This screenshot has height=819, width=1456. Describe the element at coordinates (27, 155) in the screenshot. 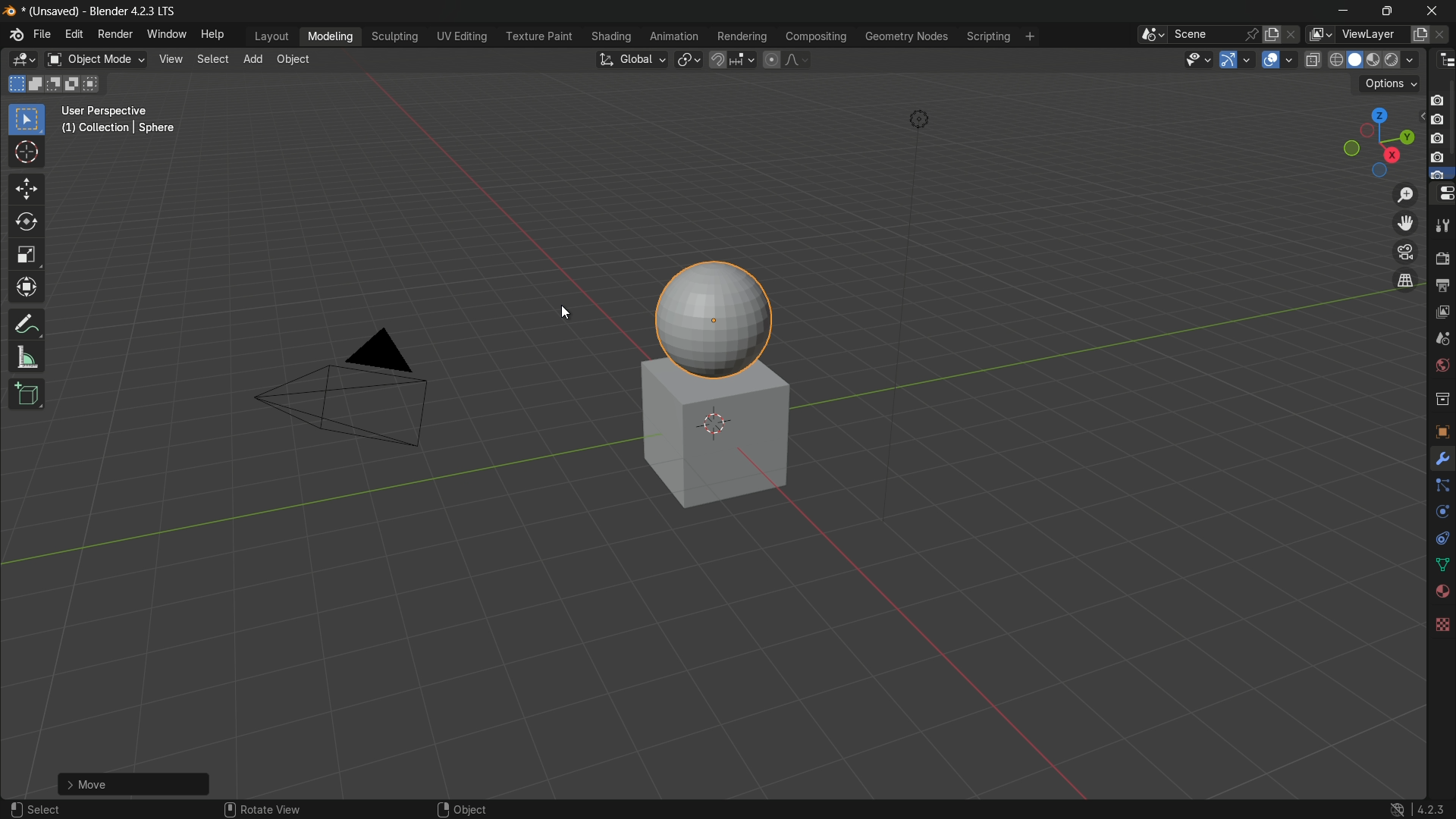

I see `cursor` at that location.